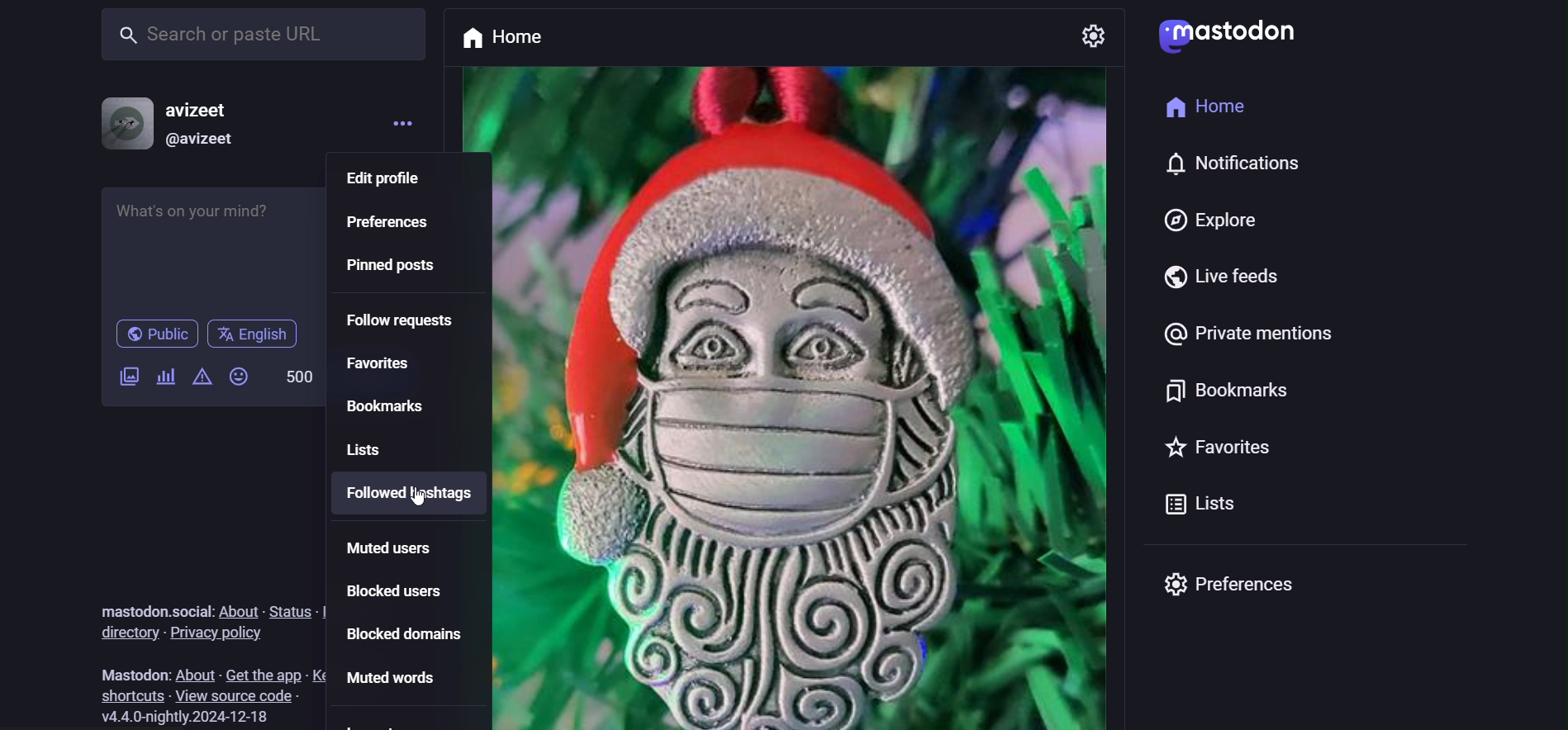 The height and width of the screenshot is (730, 1568). Describe the element at coordinates (1073, 36) in the screenshot. I see `setting` at that location.